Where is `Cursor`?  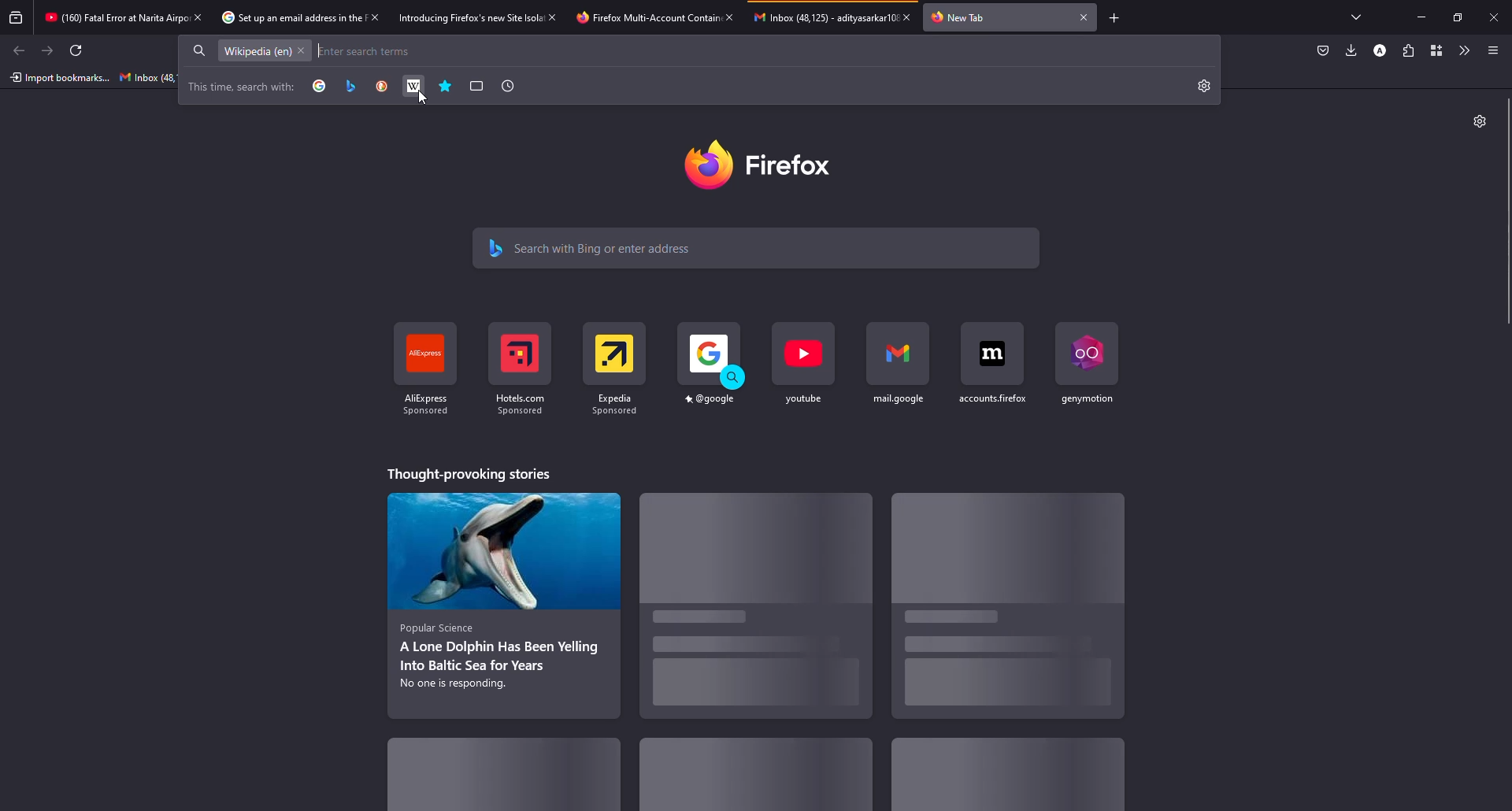
Cursor is located at coordinates (424, 97).